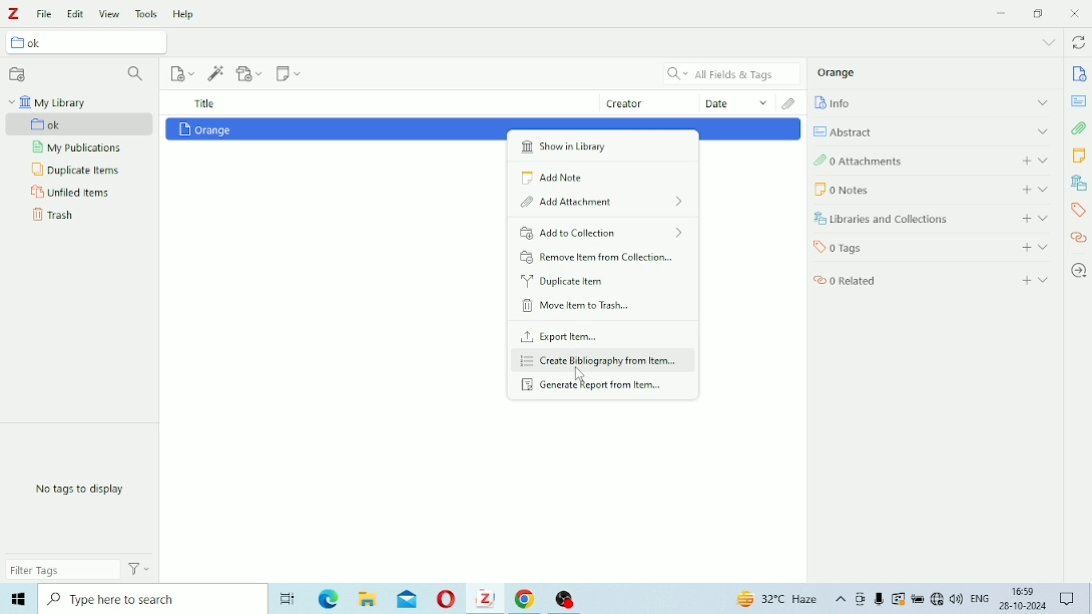 This screenshot has height=614, width=1092. I want to click on Remove Item from Collection, so click(599, 257).